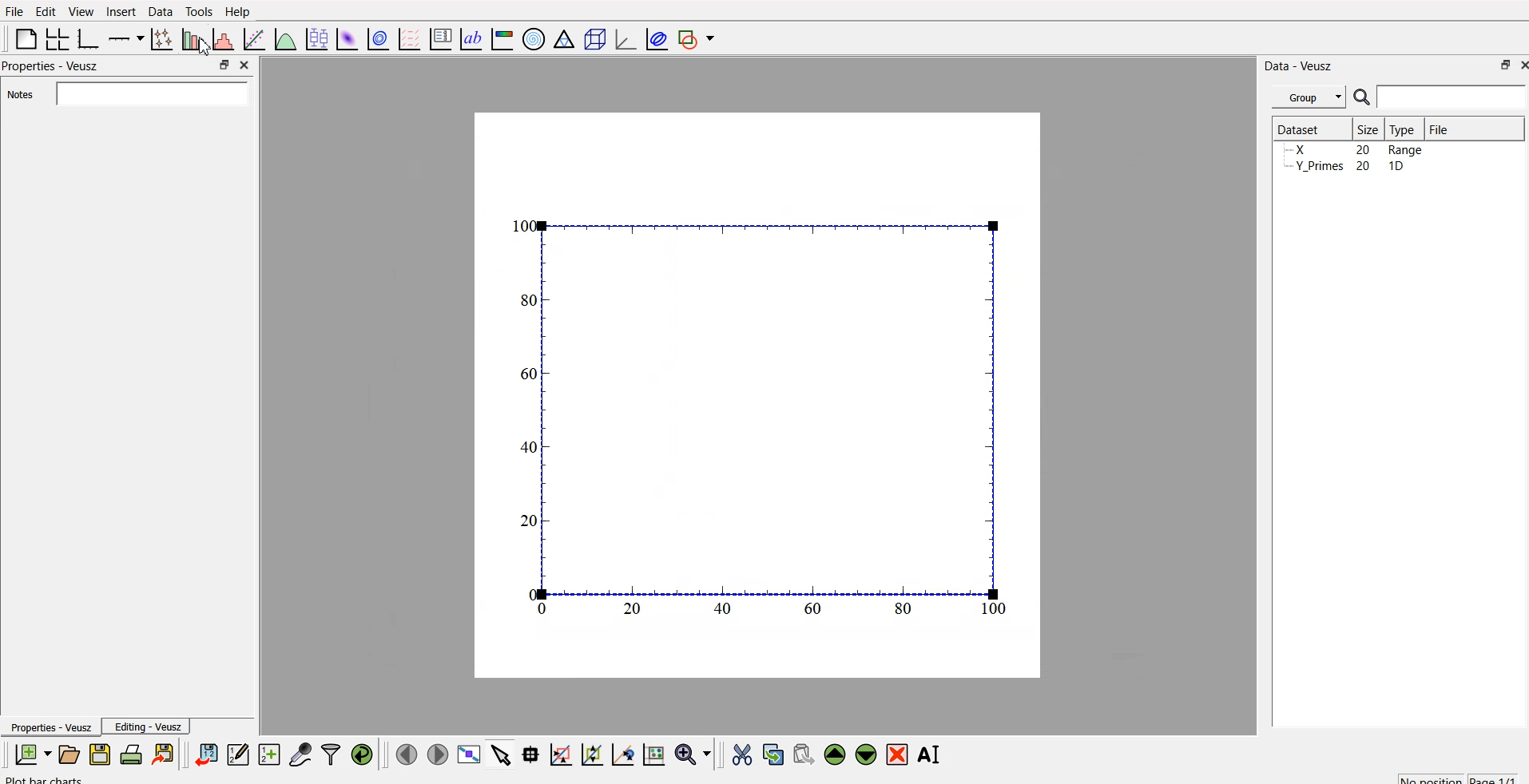 The height and width of the screenshot is (784, 1529). What do you see at coordinates (85, 37) in the screenshot?
I see `base graph` at bounding box center [85, 37].